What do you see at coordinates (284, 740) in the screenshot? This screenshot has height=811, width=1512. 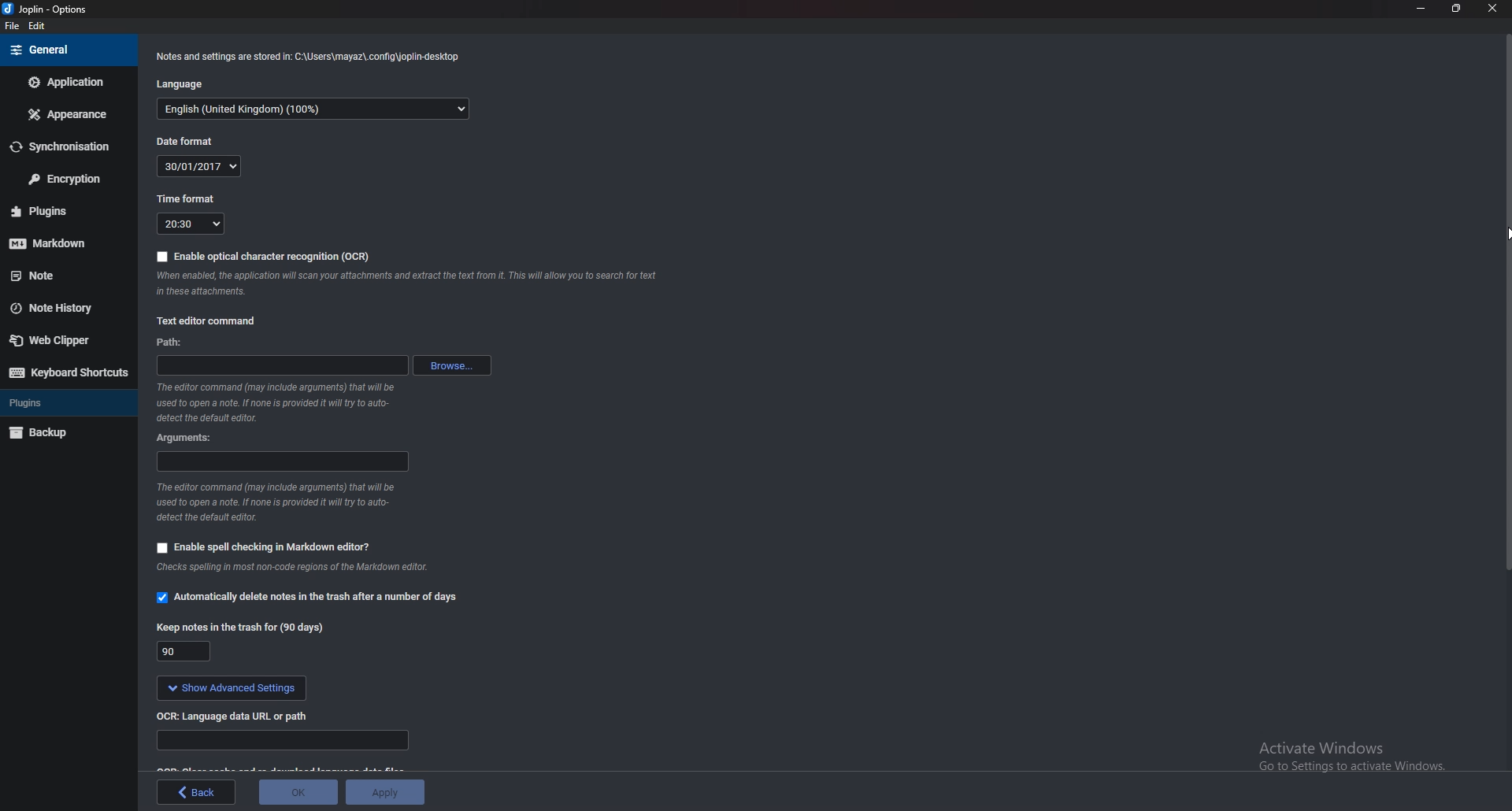 I see `Language data` at bounding box center [284, 740].